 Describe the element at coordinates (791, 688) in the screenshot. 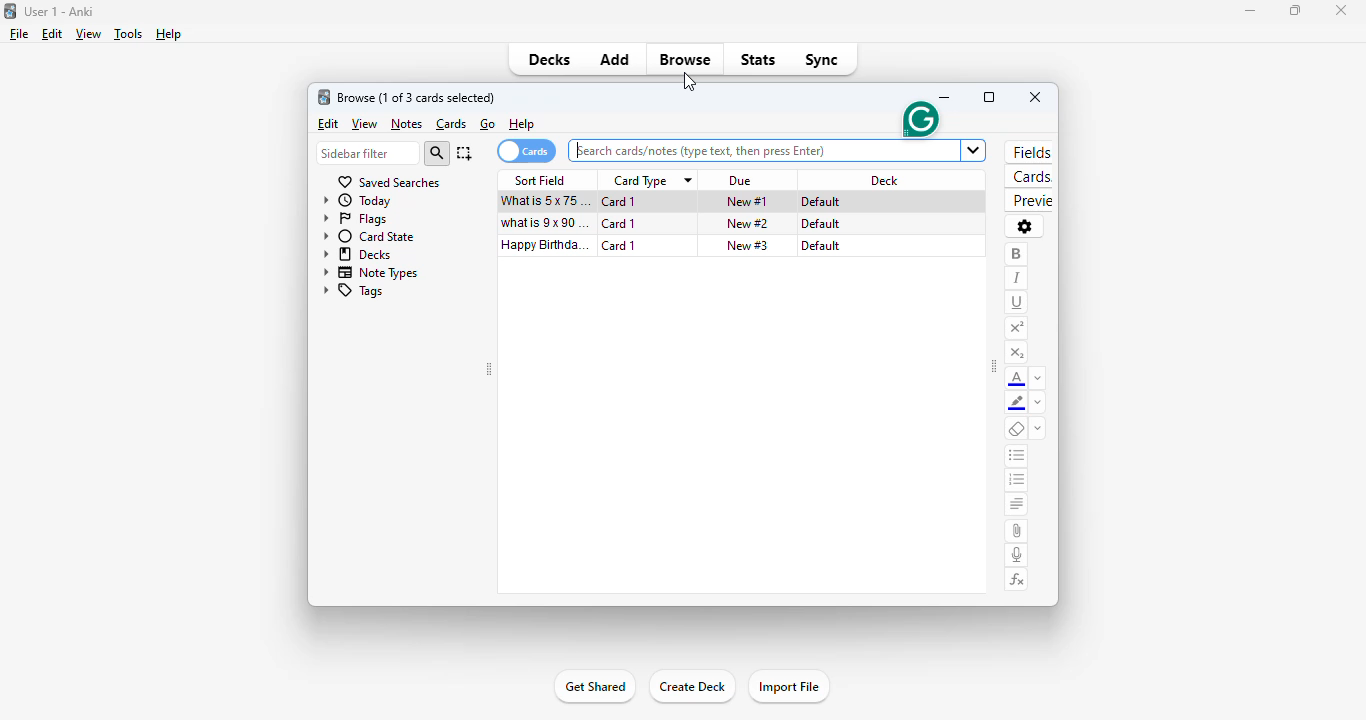

I see `import file` at that location.